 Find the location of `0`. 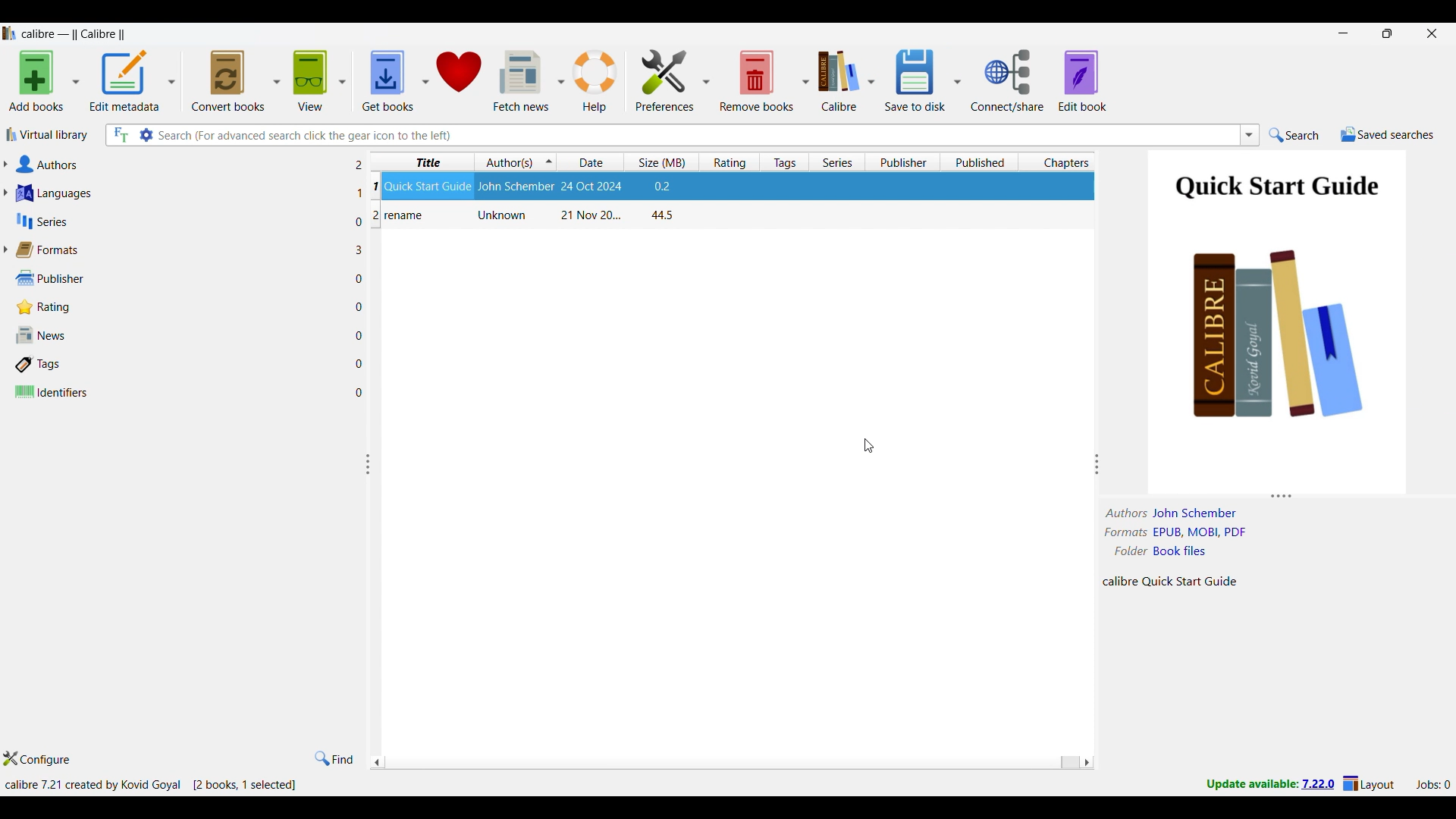

0 is located at coordinates (362, 362).